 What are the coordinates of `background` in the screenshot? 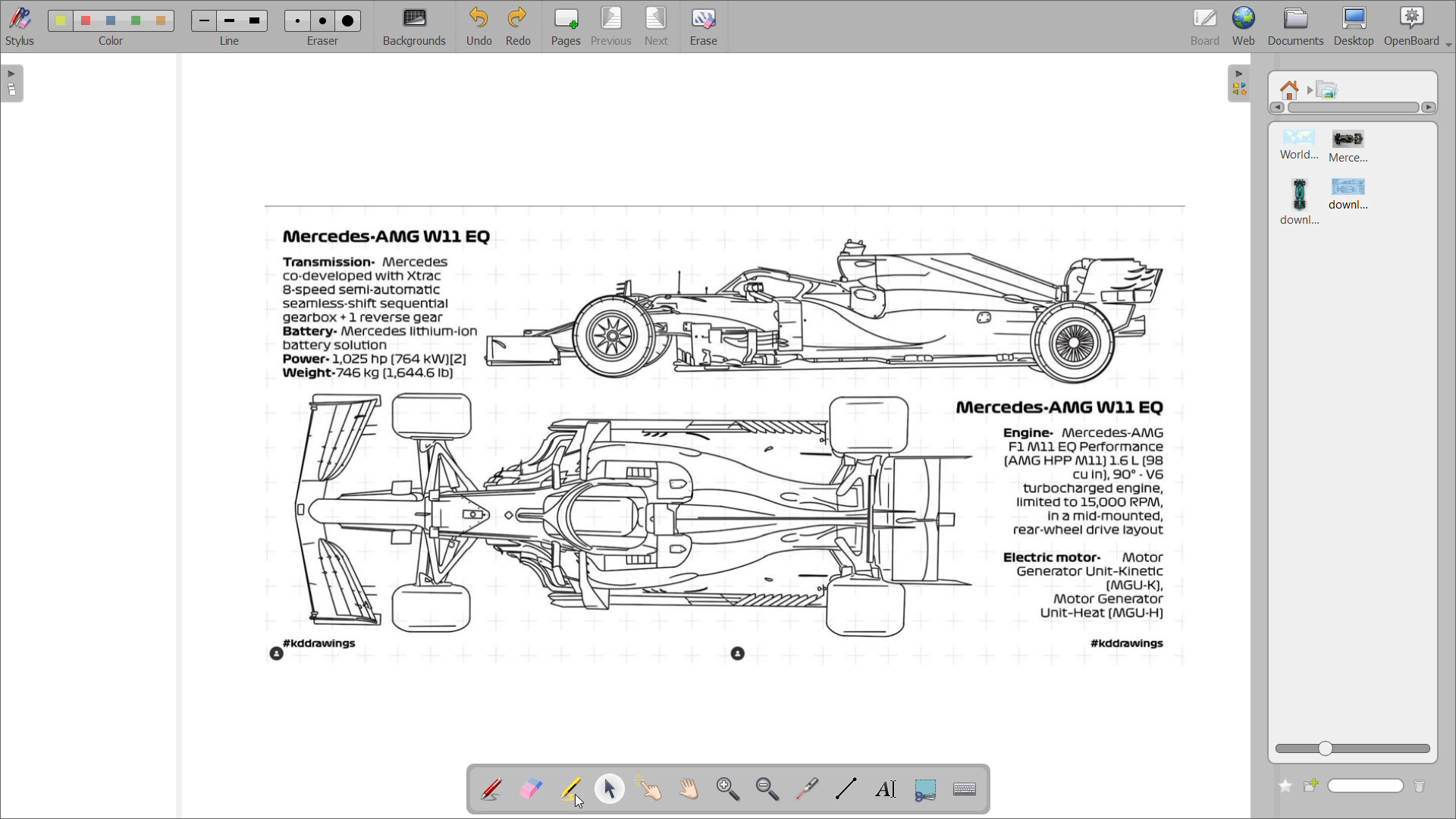 It's located at (417, 27).